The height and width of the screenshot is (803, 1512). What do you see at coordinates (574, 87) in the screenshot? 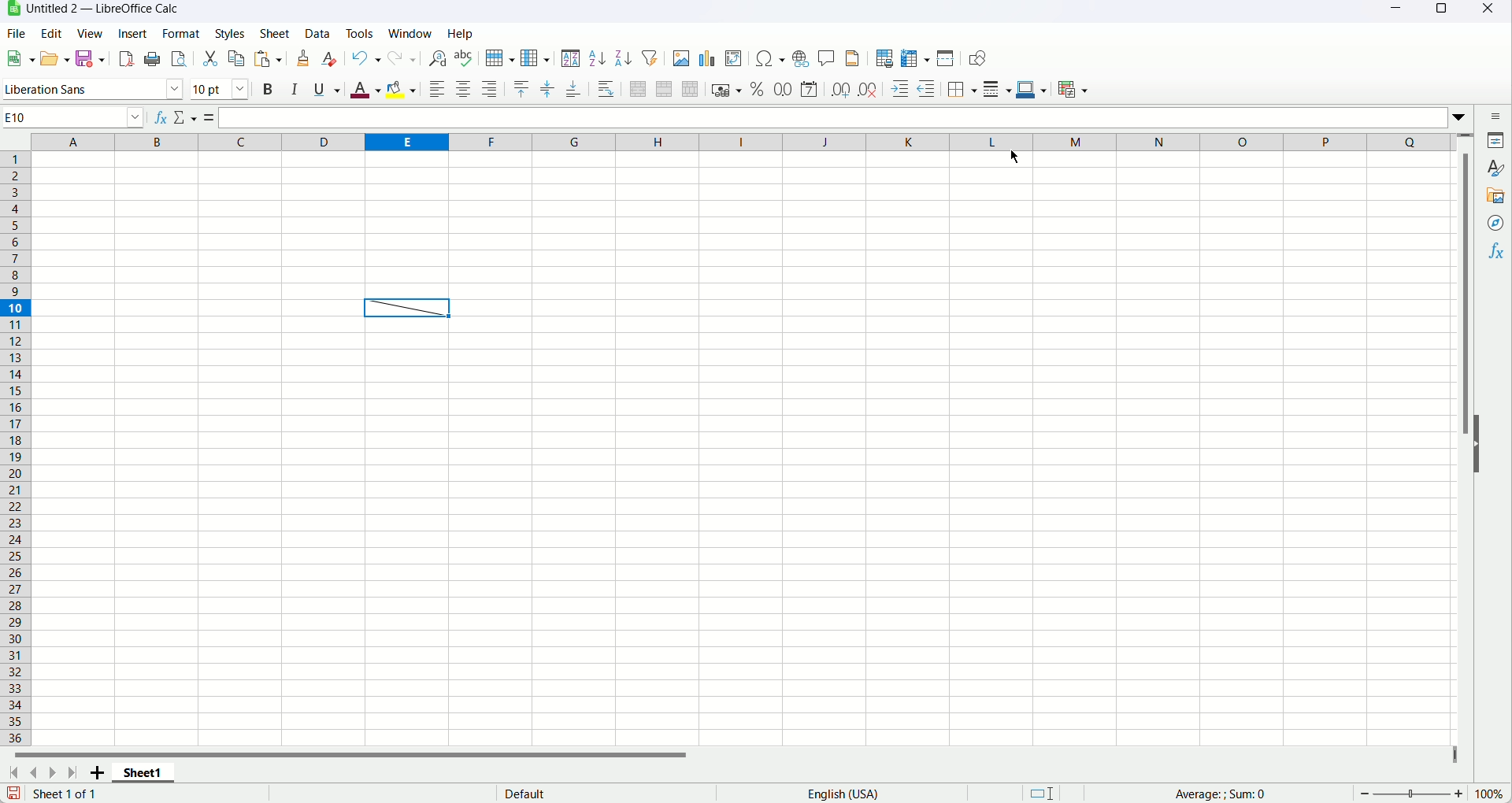
I see `Align bottom` at bounding box center [574, 87].